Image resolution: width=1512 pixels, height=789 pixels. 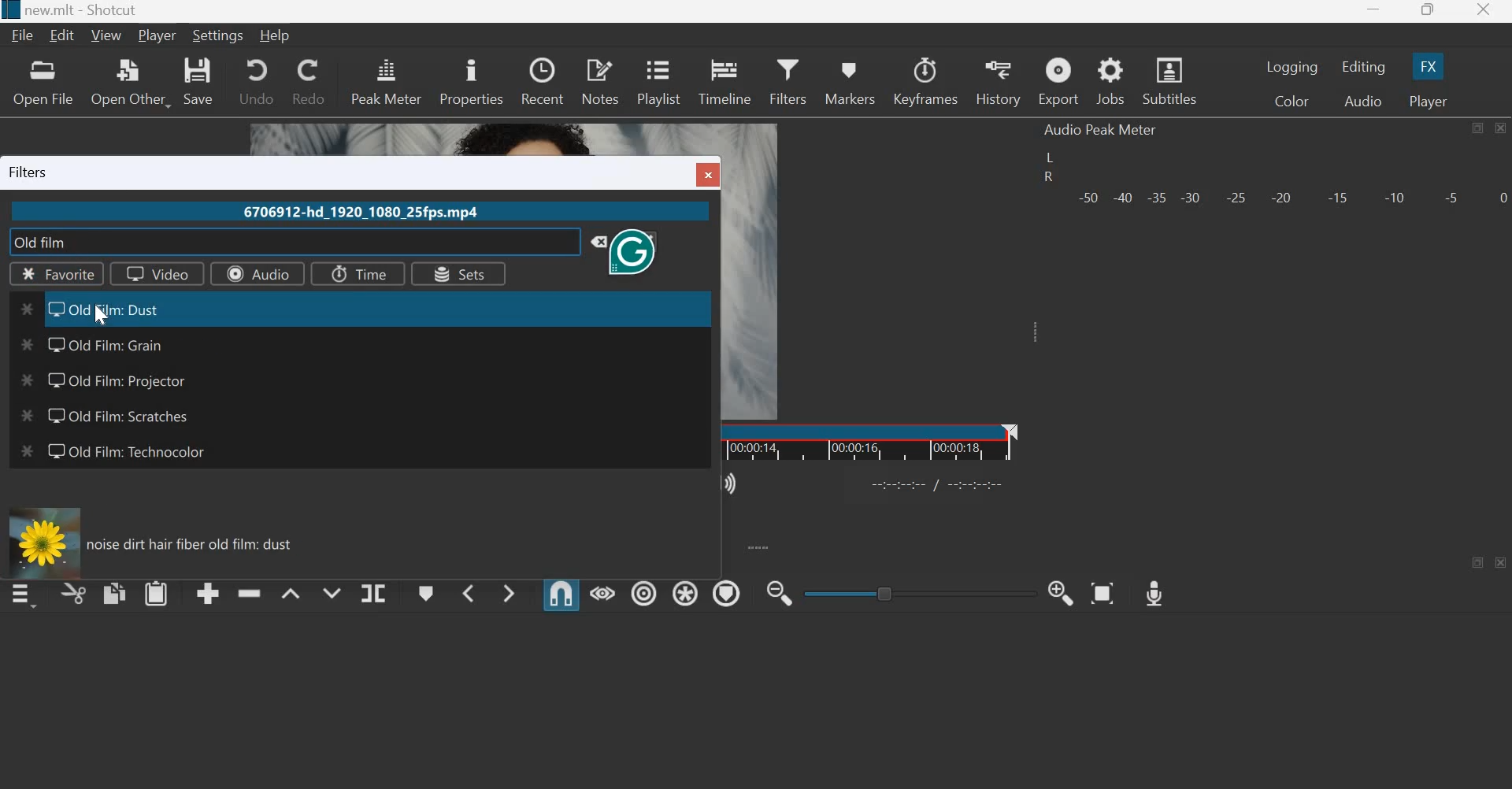 What do you see at coordinates (870, 442) in the screenshot?
I see `Timeline ruler` at bounding box center [870, 442].